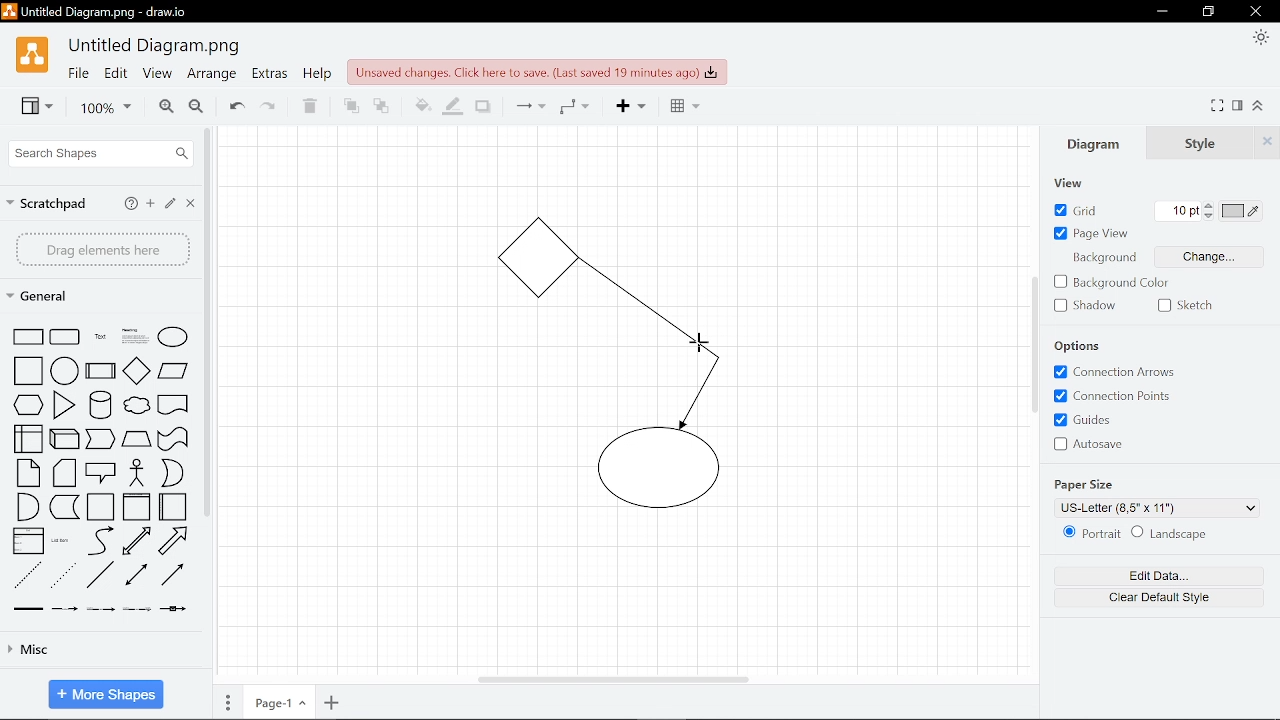 Image resolution: width=1280 pixels, height=720 pixels. I want to click on Expand/collapse, so click(1261, 106).